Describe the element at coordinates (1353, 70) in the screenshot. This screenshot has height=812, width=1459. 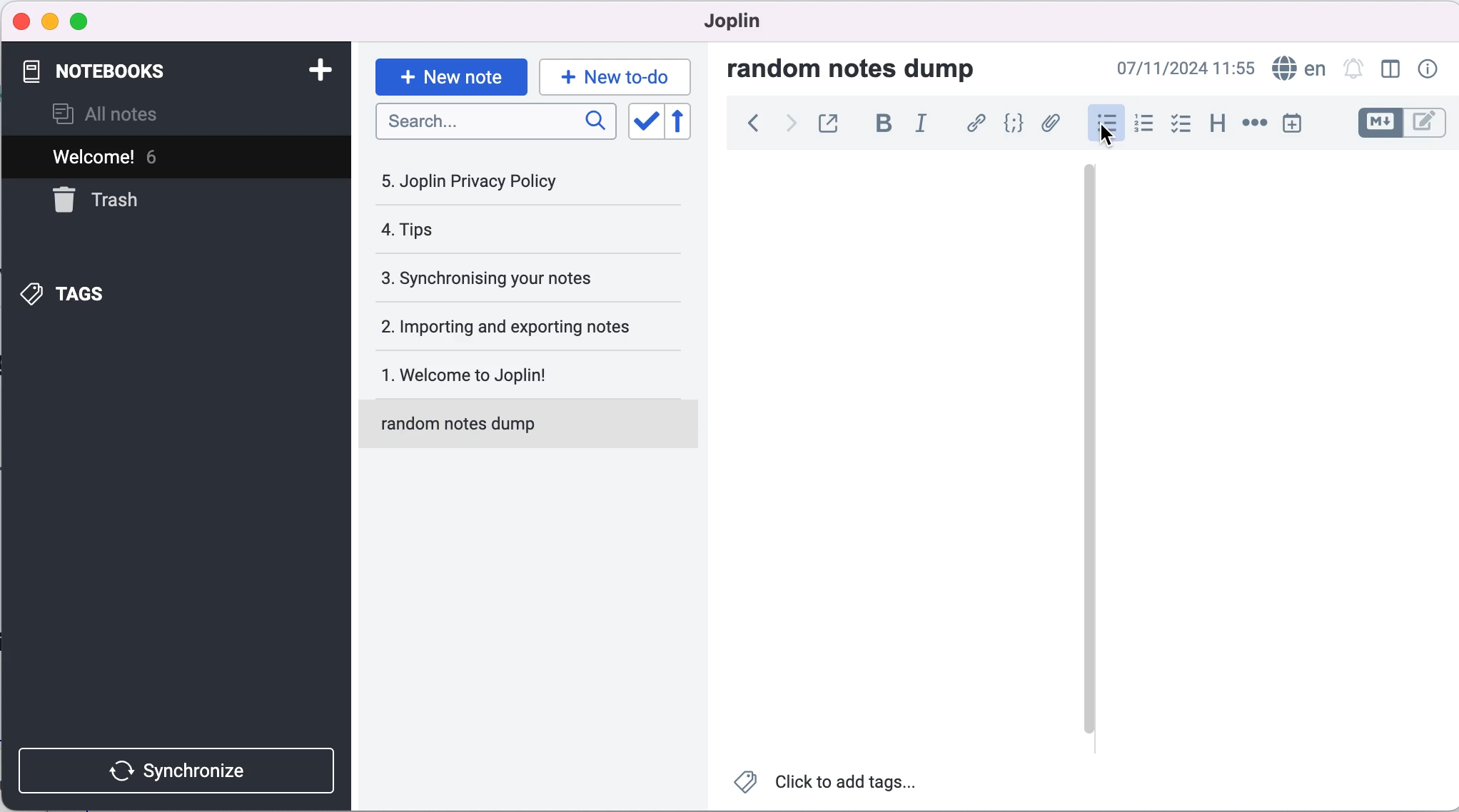
I see `set alarm` at that location.